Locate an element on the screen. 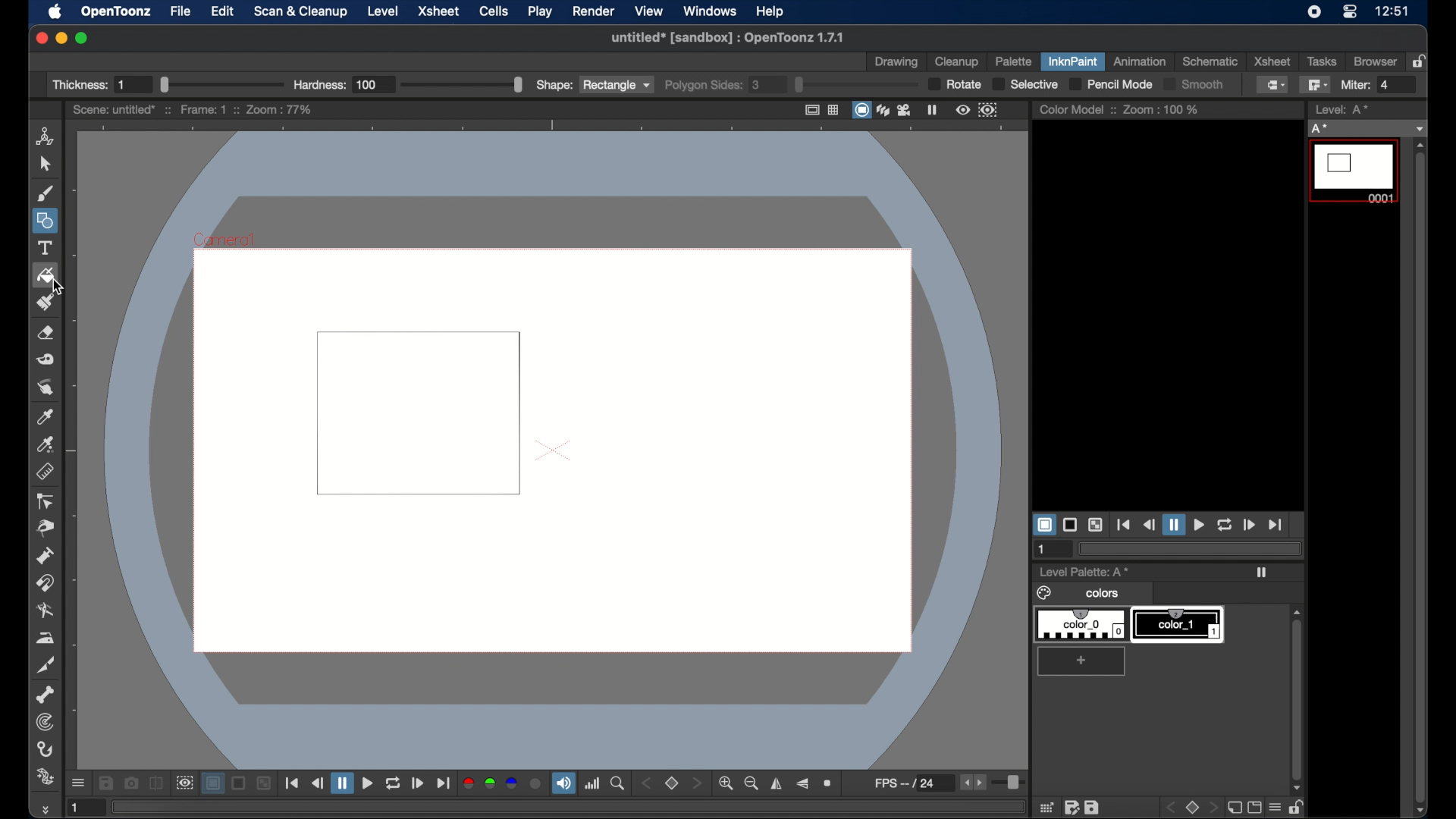 The height and width of the screenshot is (819, 1456). lock rooms table is located at coordinates (1421, 61).